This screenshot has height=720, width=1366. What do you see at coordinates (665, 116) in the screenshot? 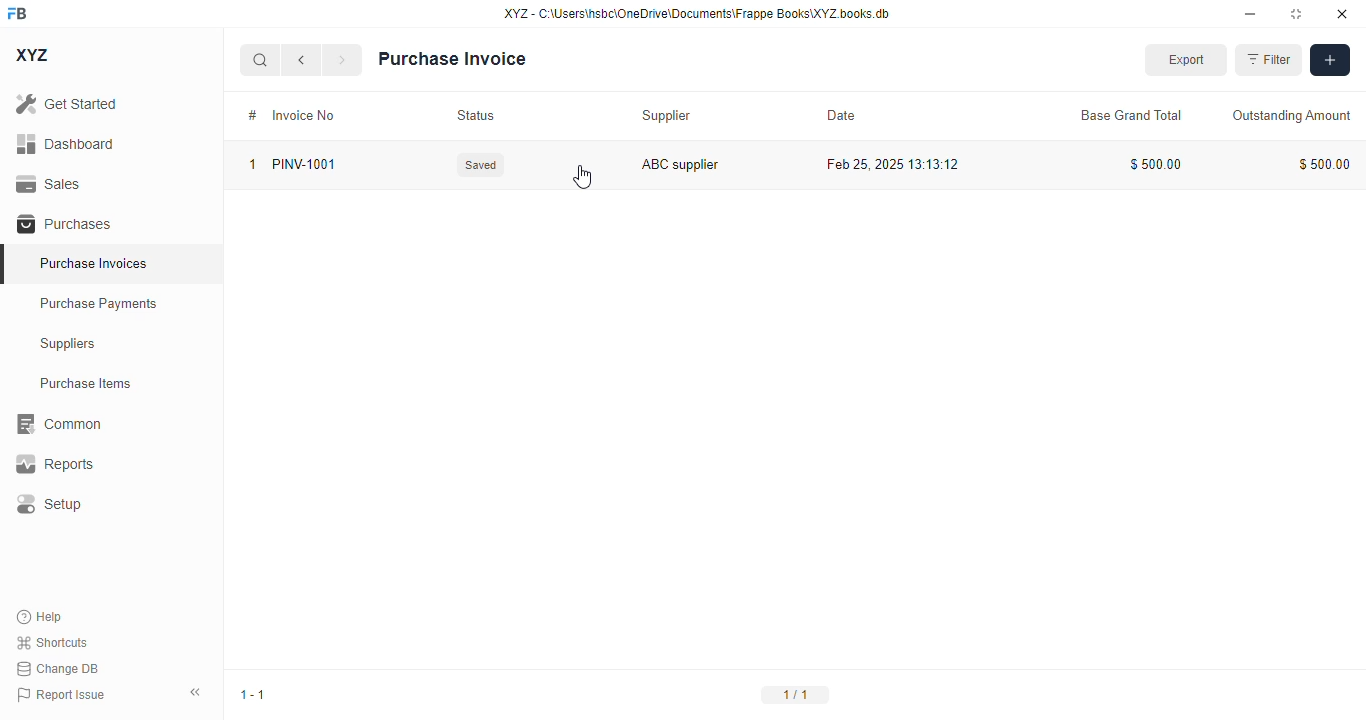
I see `supplier` at bounding box center [665, 116].